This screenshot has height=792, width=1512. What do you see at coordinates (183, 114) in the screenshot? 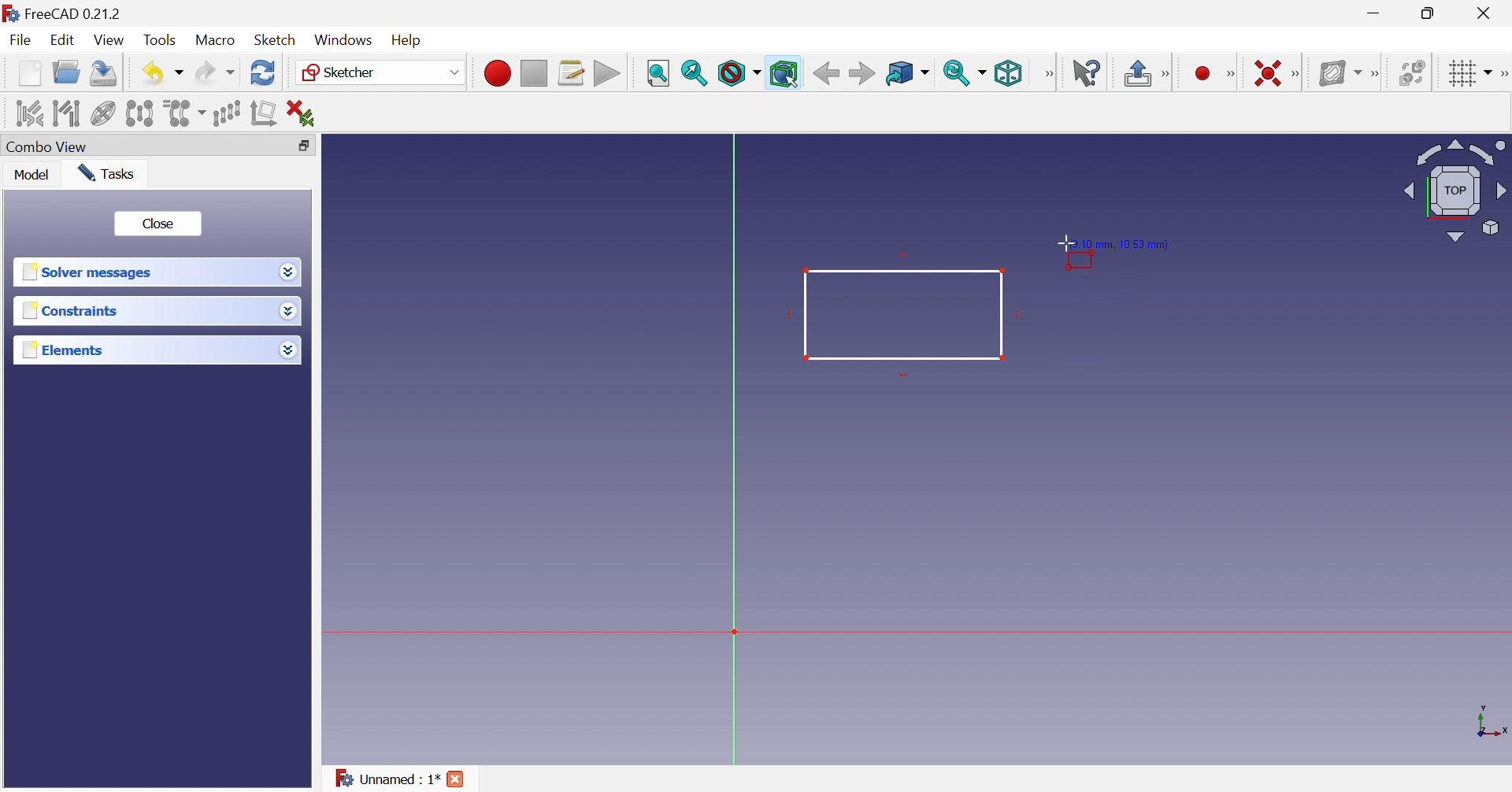
I see `Clone` at bounding box center [183, 114].